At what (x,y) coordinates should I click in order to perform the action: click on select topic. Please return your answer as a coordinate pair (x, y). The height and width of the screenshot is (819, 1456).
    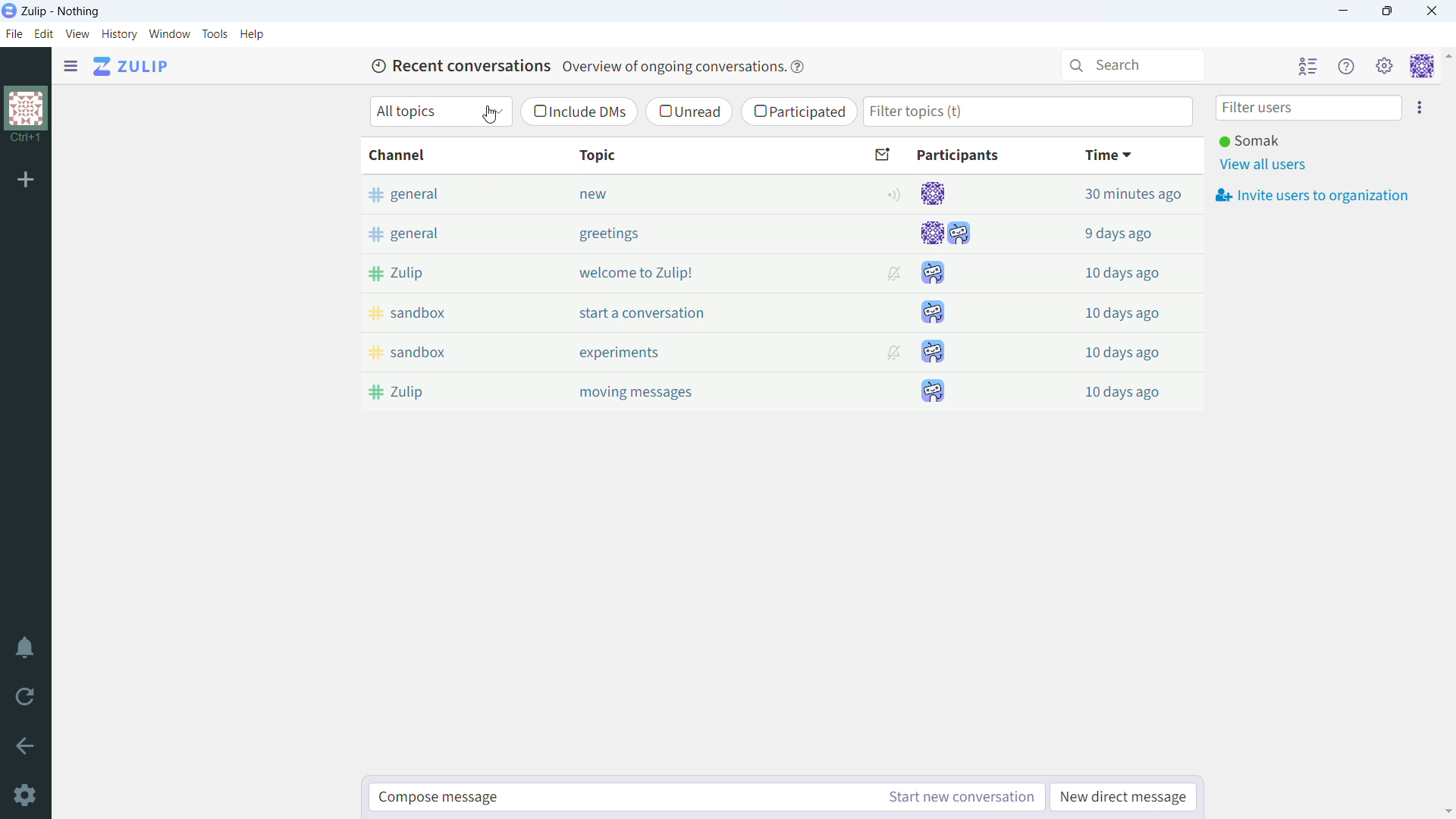
    Looking at the image, I should click on (441, 111).